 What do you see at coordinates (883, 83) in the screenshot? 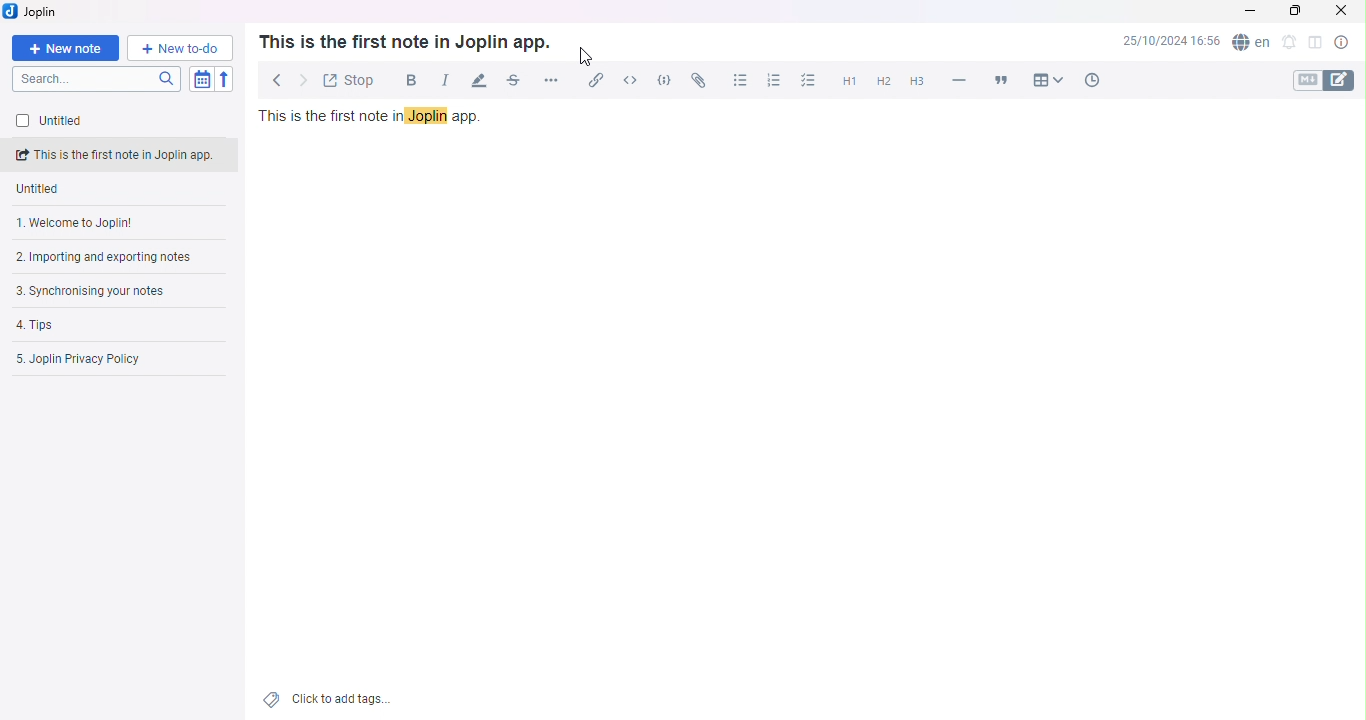
I see `Heading 2` at bounding box center [883, 83].